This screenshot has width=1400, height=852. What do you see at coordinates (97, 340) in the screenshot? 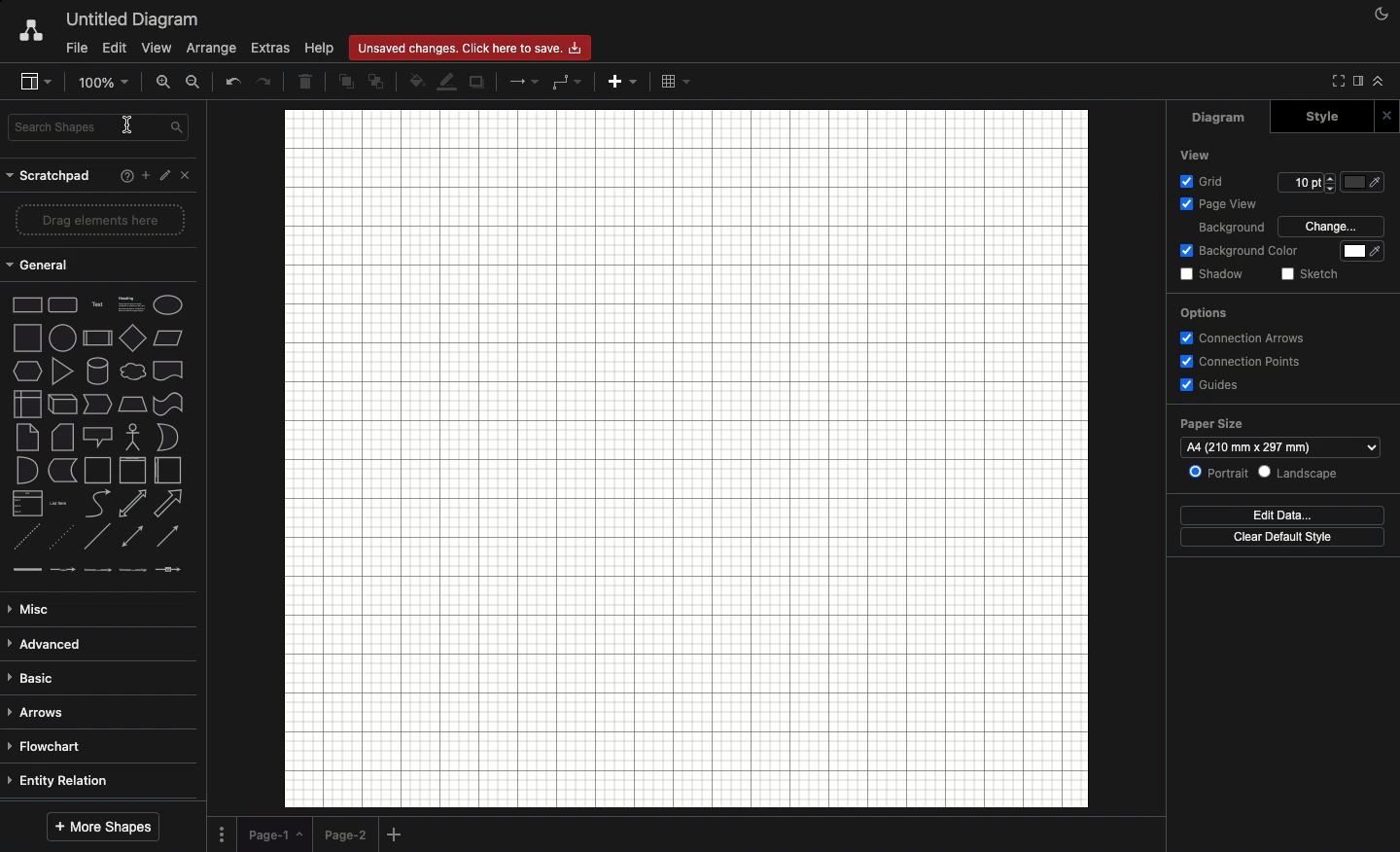
I see `` at bounding box center [97, 340].